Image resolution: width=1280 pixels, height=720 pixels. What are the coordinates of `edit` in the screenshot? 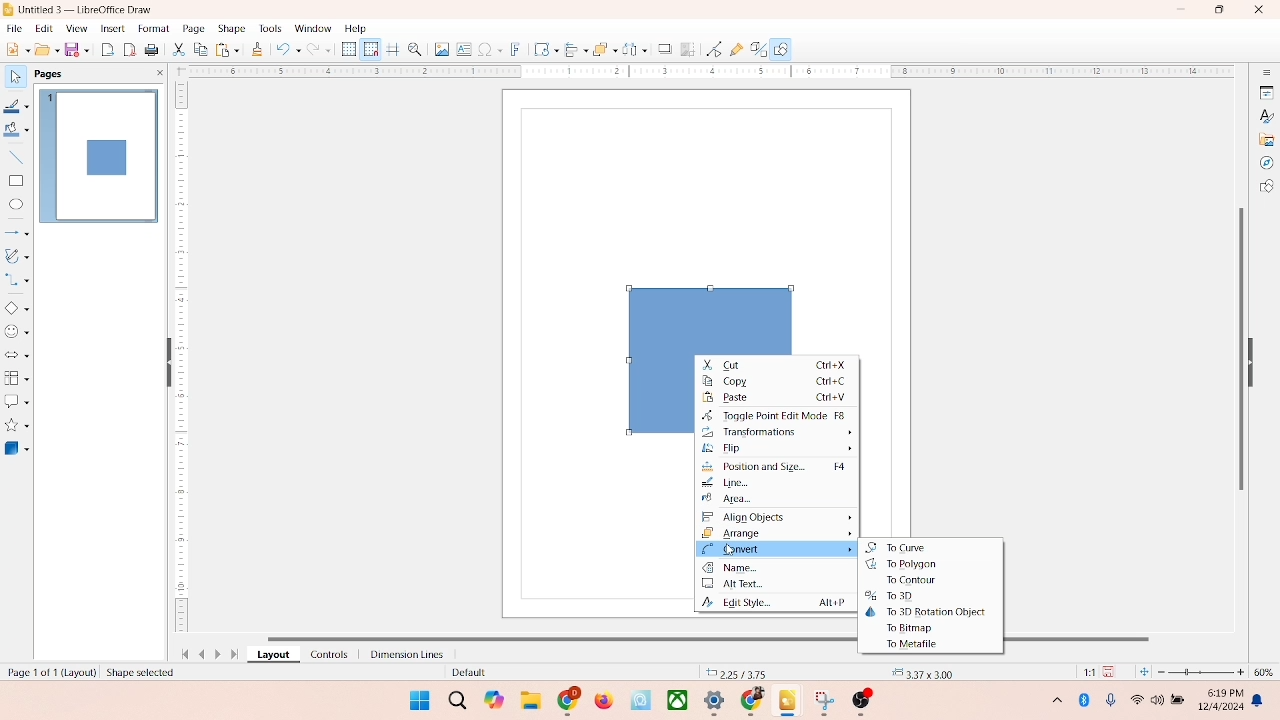 It's located at (42, 29).